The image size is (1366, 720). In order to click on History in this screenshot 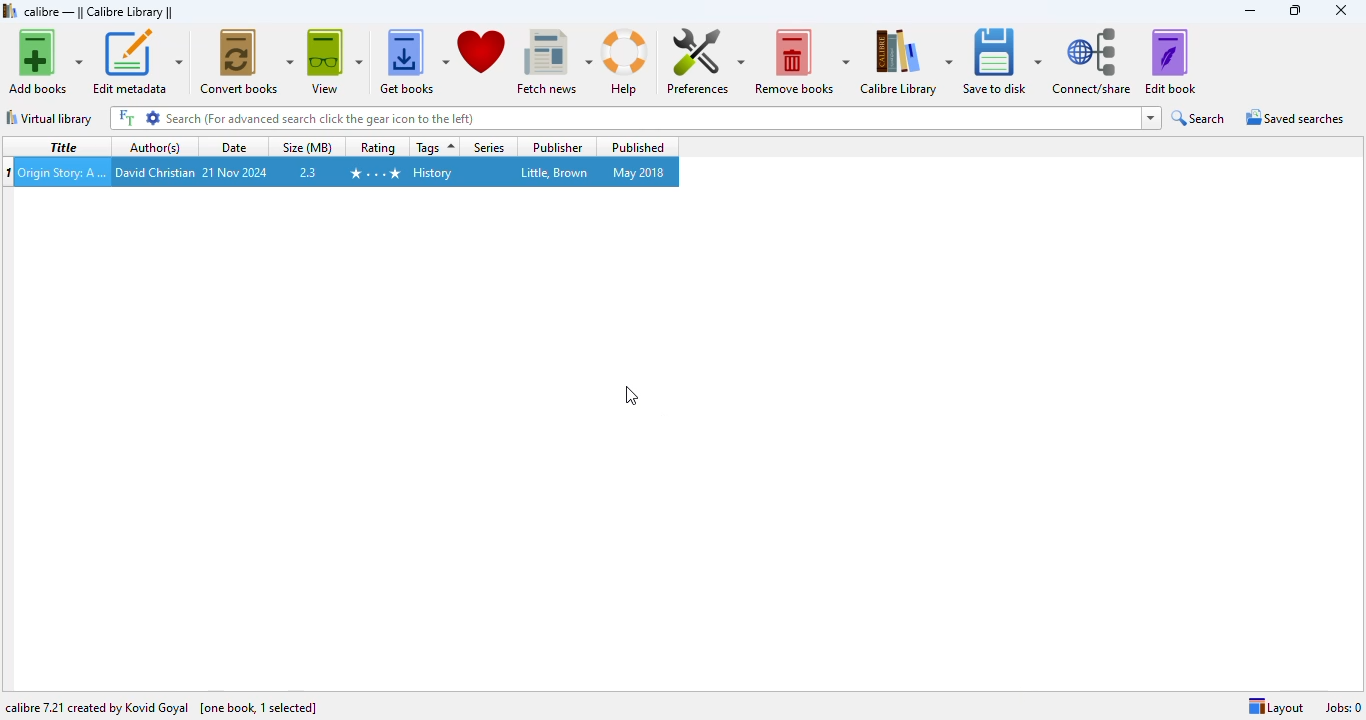, I will do `click(435, 173)`.